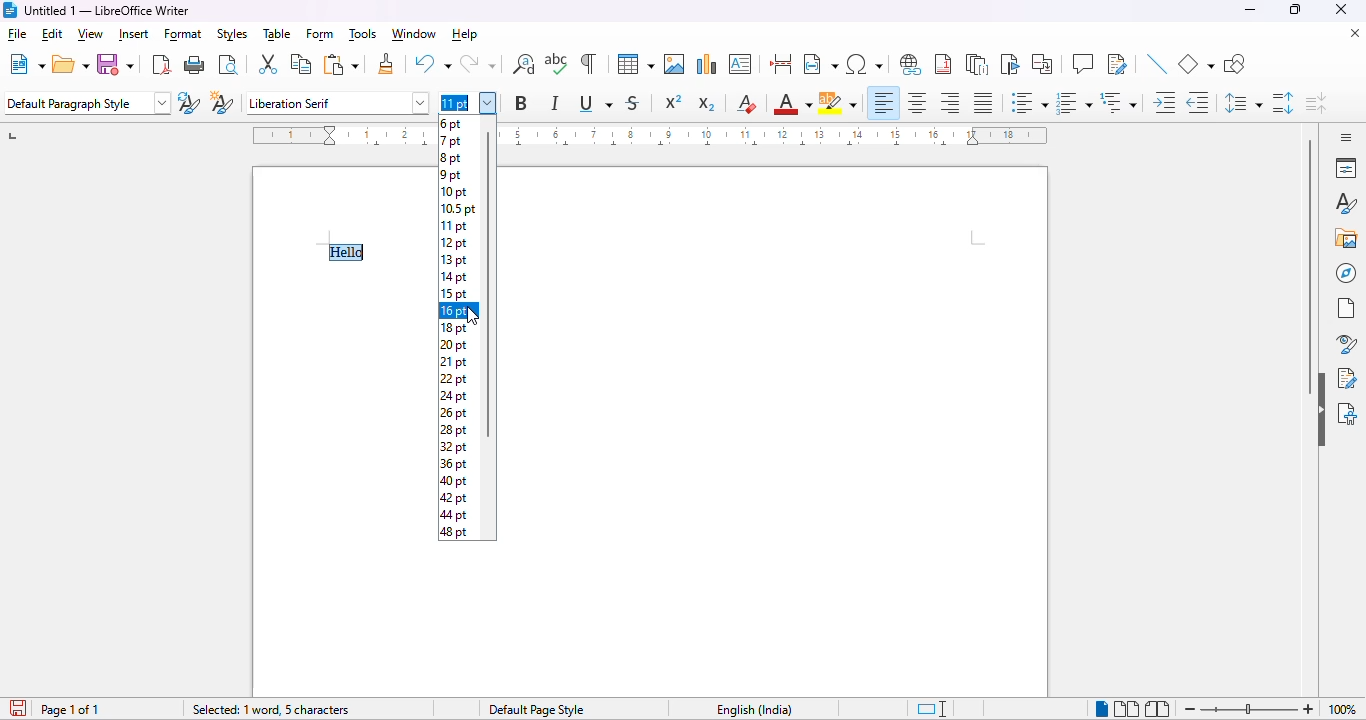  I want to click on insert footnote, so click(943, 65).